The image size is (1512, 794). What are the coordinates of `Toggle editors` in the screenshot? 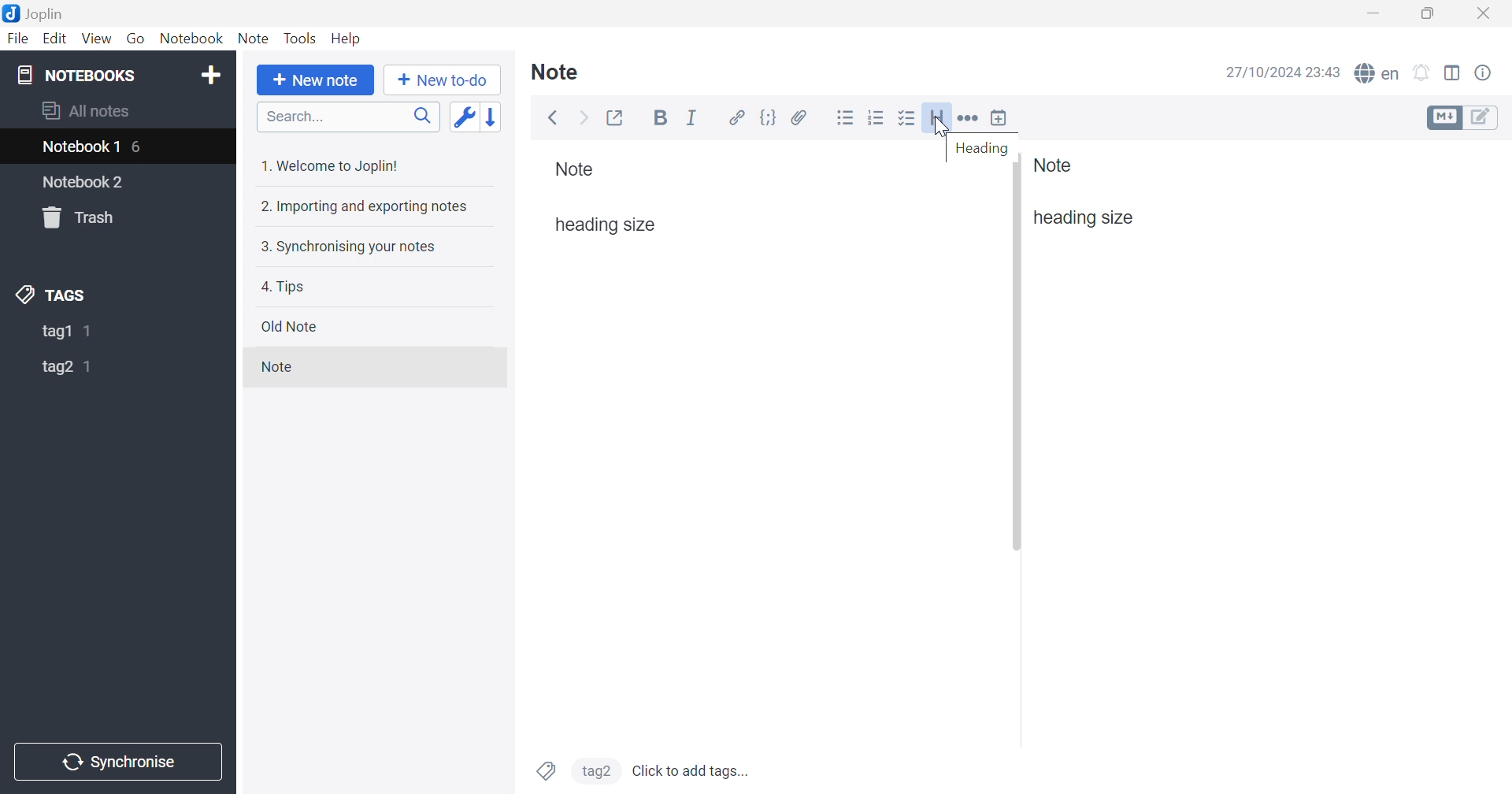 It's located at (1462, 117).